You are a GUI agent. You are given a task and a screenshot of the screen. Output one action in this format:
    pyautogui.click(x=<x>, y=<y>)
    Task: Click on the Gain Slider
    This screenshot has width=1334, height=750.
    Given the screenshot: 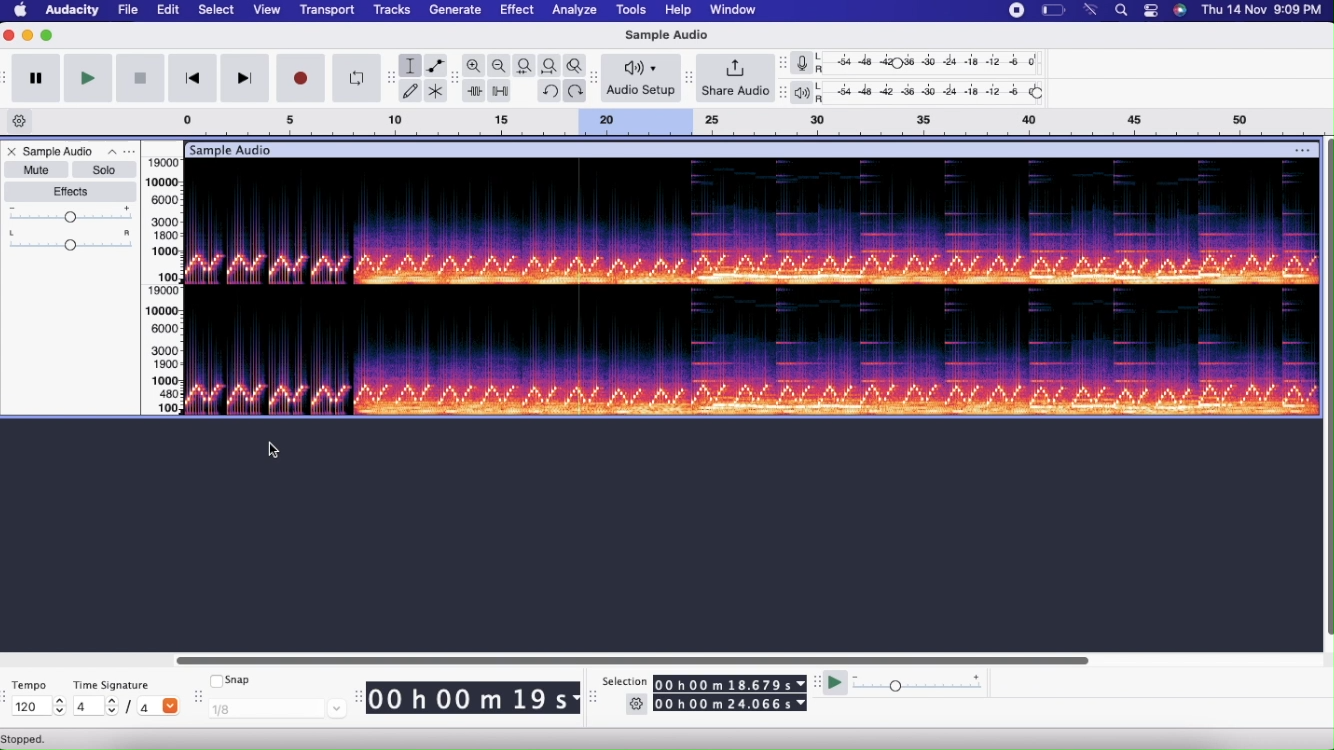 What is the action you would take?
    pyautogui.click(x=70, y=213)
    